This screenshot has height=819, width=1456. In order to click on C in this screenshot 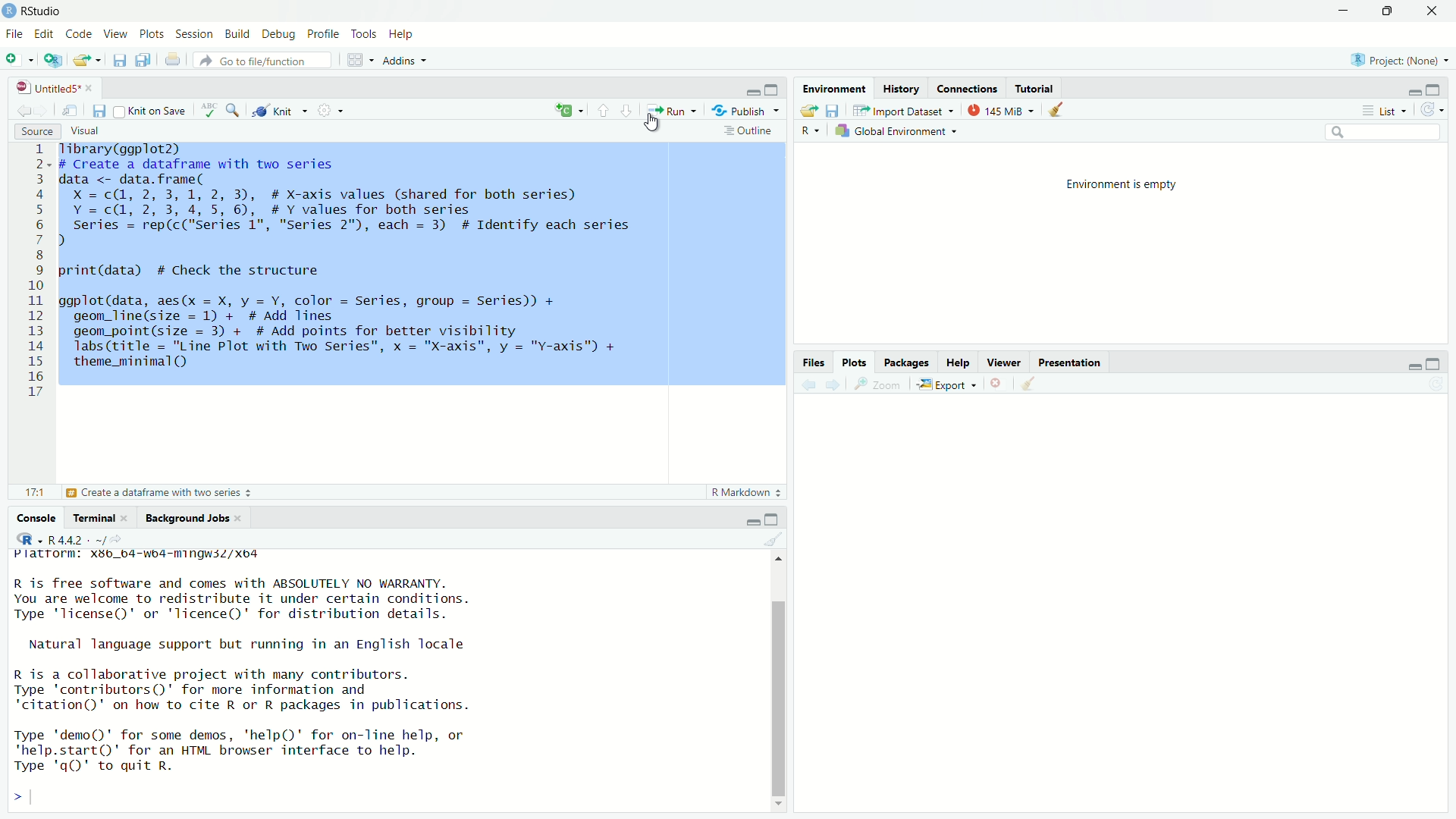, I will do `click(570, 110)`.